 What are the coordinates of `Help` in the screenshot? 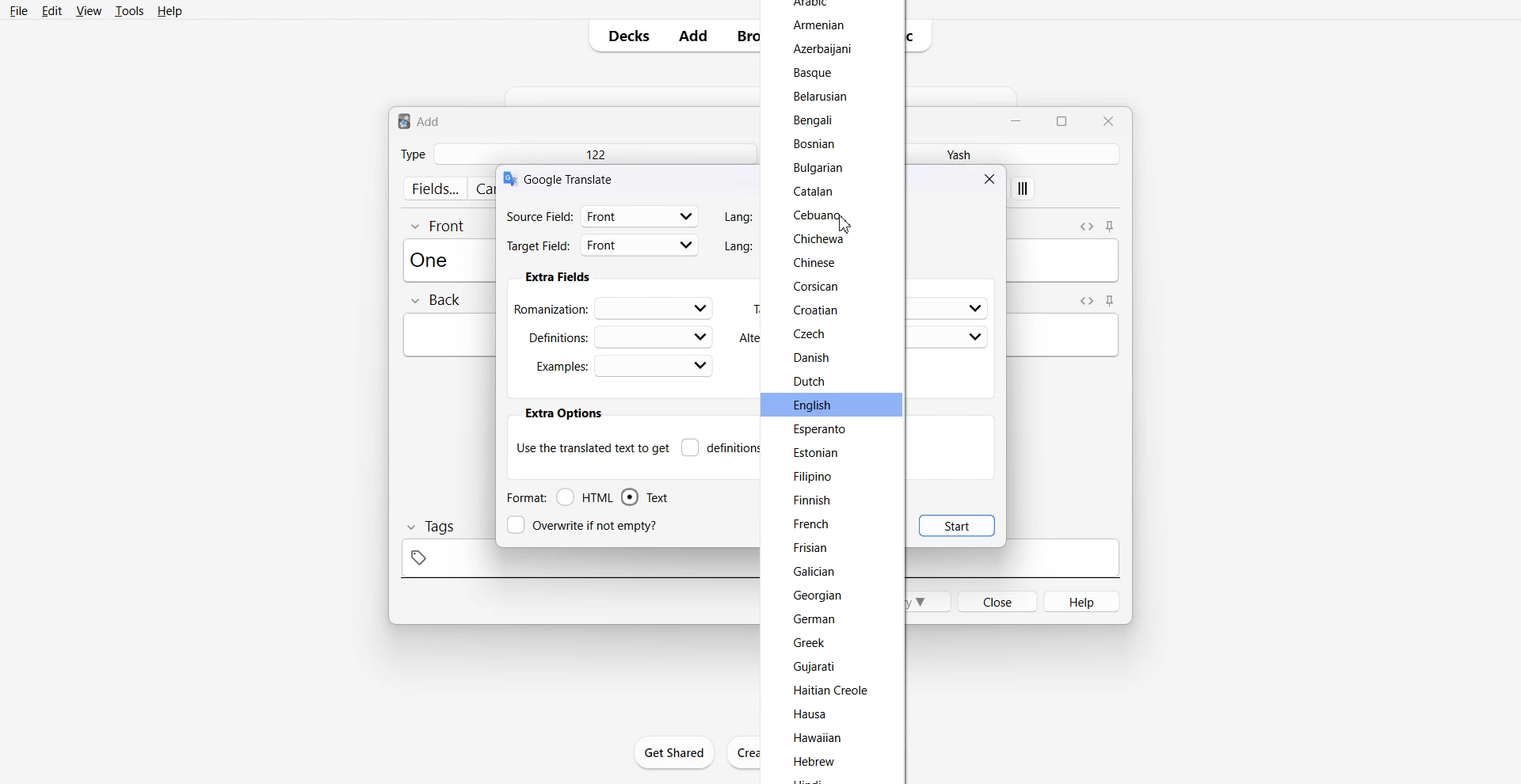 It's located at (170, 10).